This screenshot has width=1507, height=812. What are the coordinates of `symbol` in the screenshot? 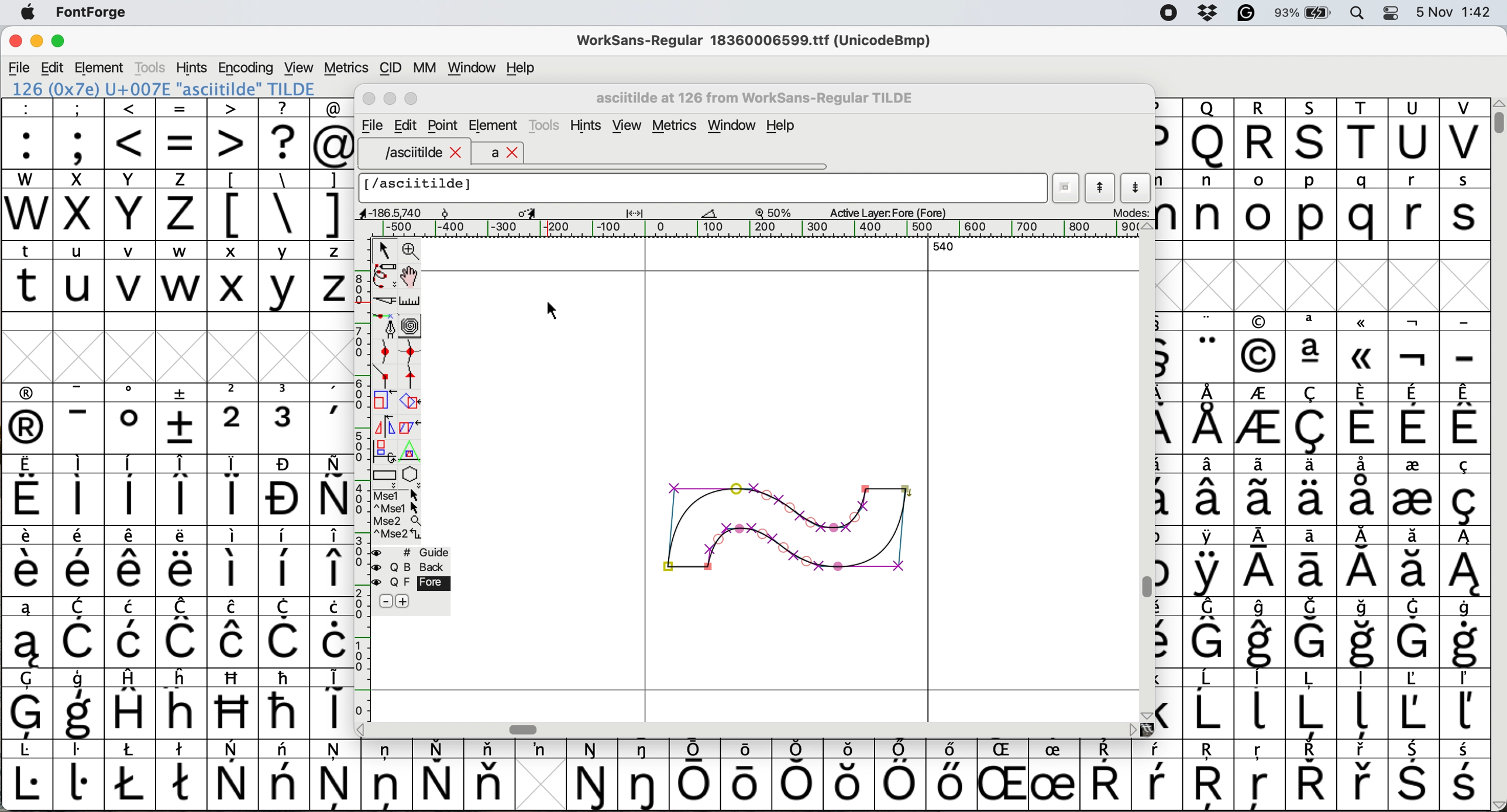 It's located at (28, 491).